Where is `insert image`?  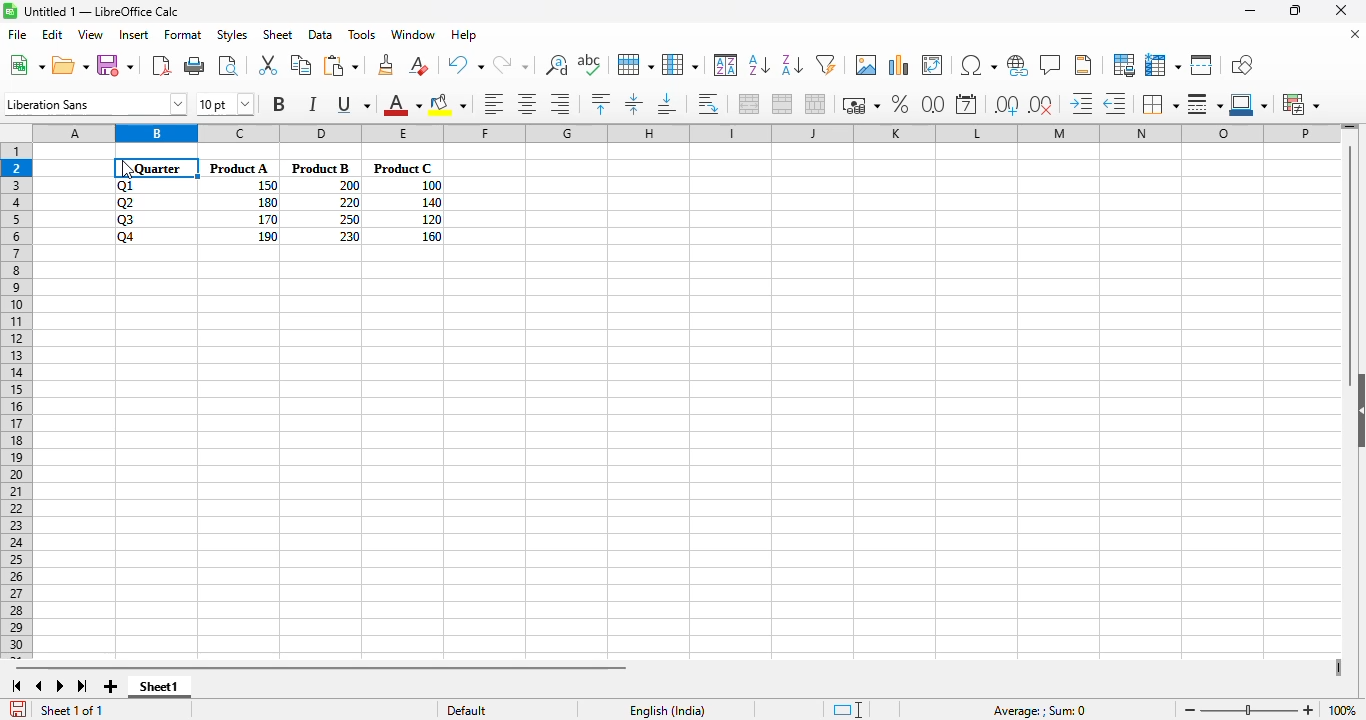
insert image is located at coordinates (867, 64).